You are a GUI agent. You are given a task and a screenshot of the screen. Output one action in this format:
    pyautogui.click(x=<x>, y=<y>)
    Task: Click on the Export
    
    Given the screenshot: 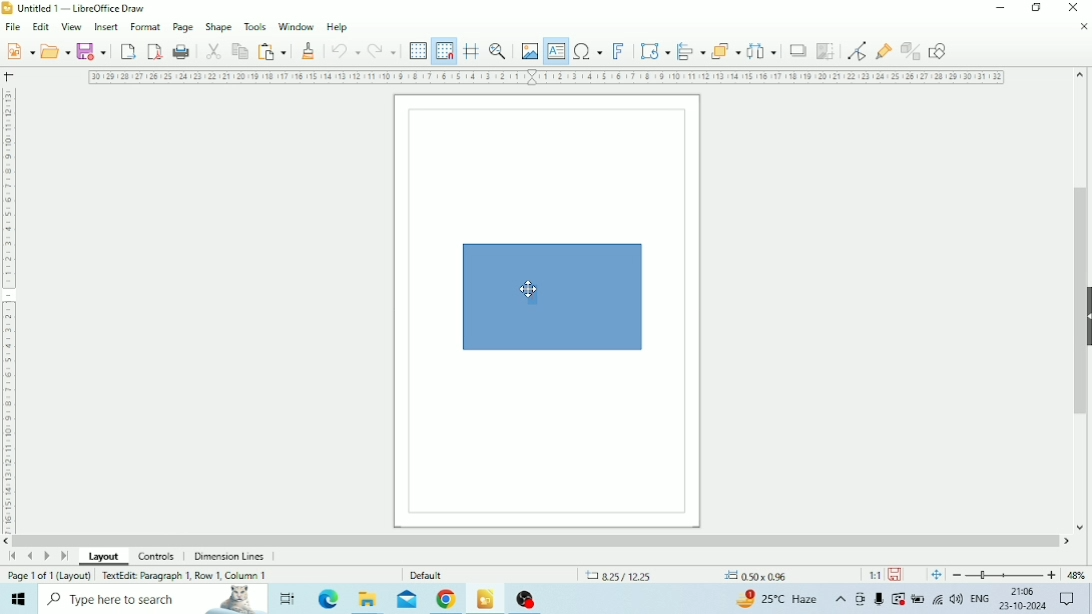 What is the action you would take?
    pyautogui.click(x=128, y=52)
    